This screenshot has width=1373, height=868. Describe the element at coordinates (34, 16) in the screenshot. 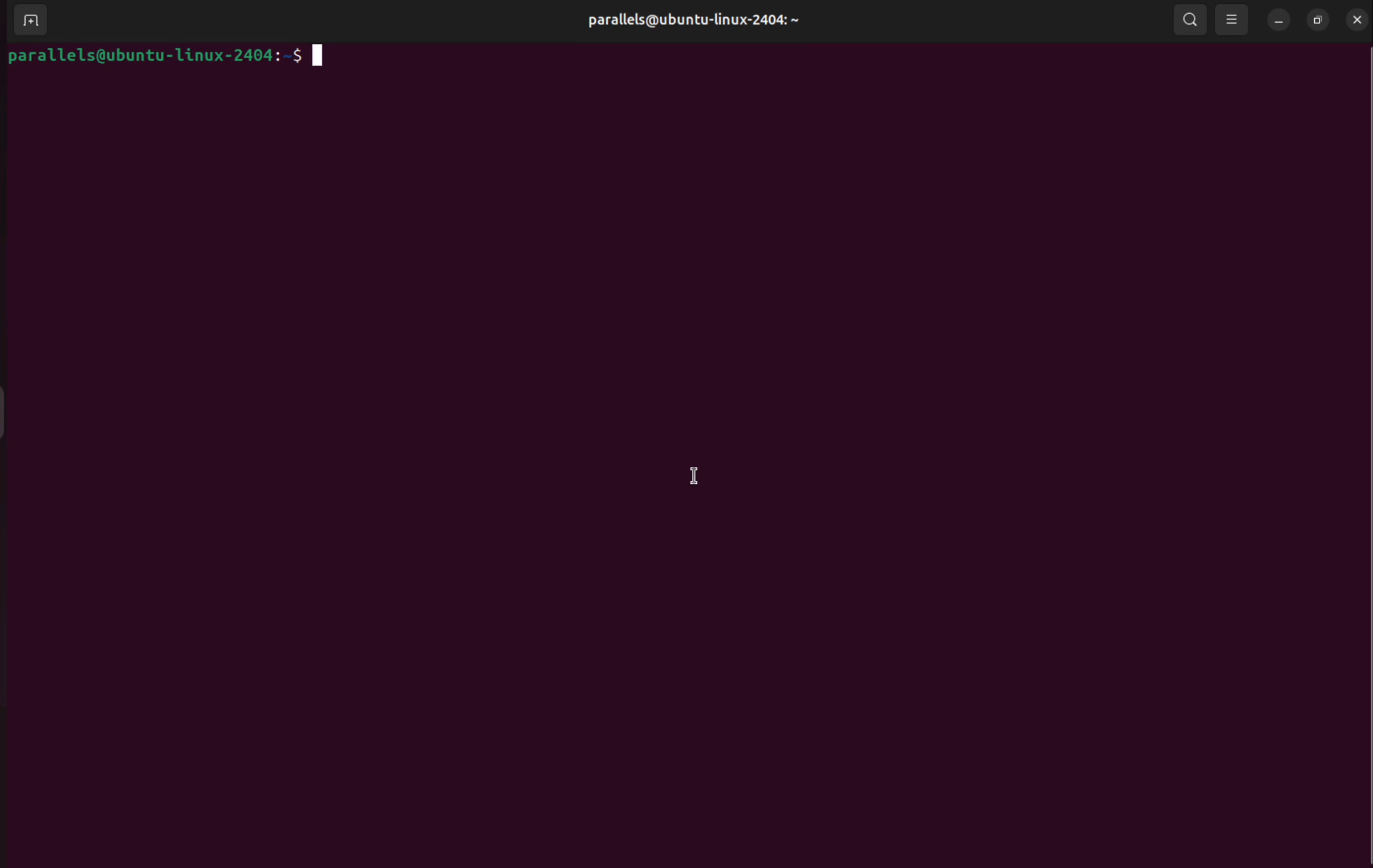

I see `add terminals` at that location.